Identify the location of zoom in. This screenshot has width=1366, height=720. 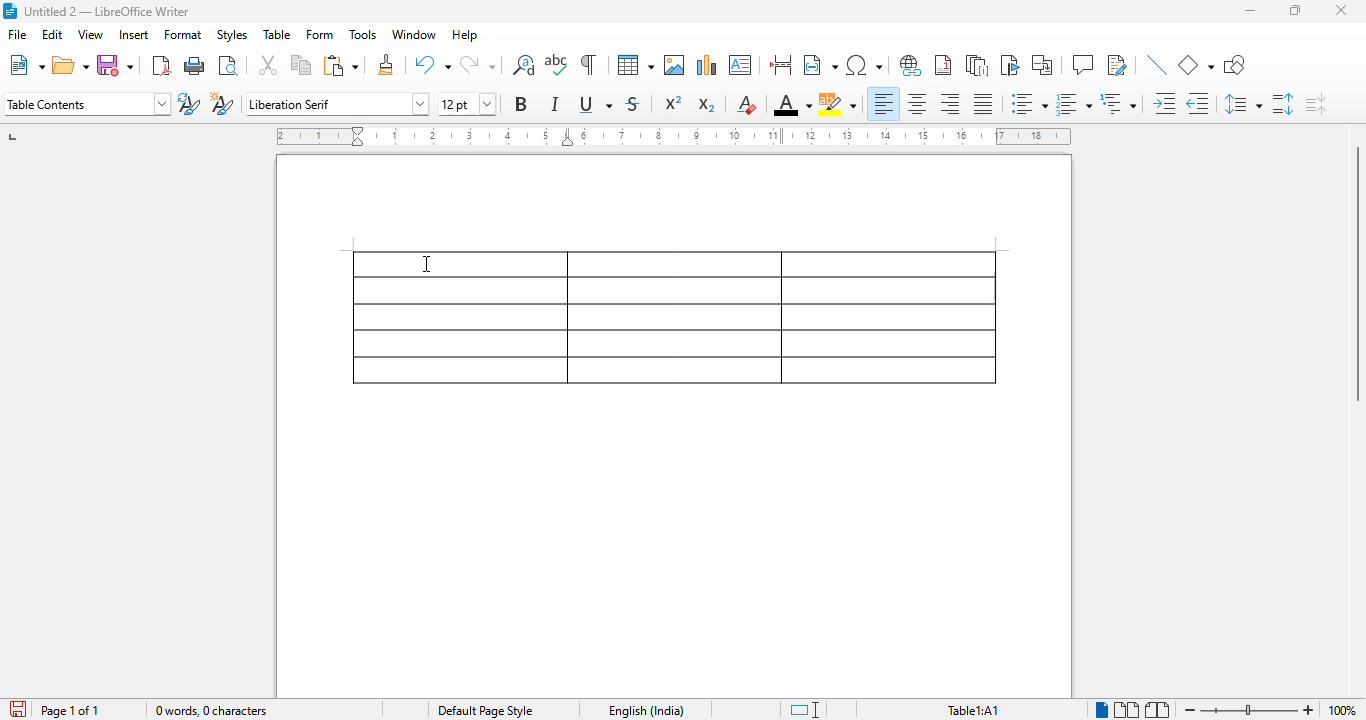
(1310, 710).